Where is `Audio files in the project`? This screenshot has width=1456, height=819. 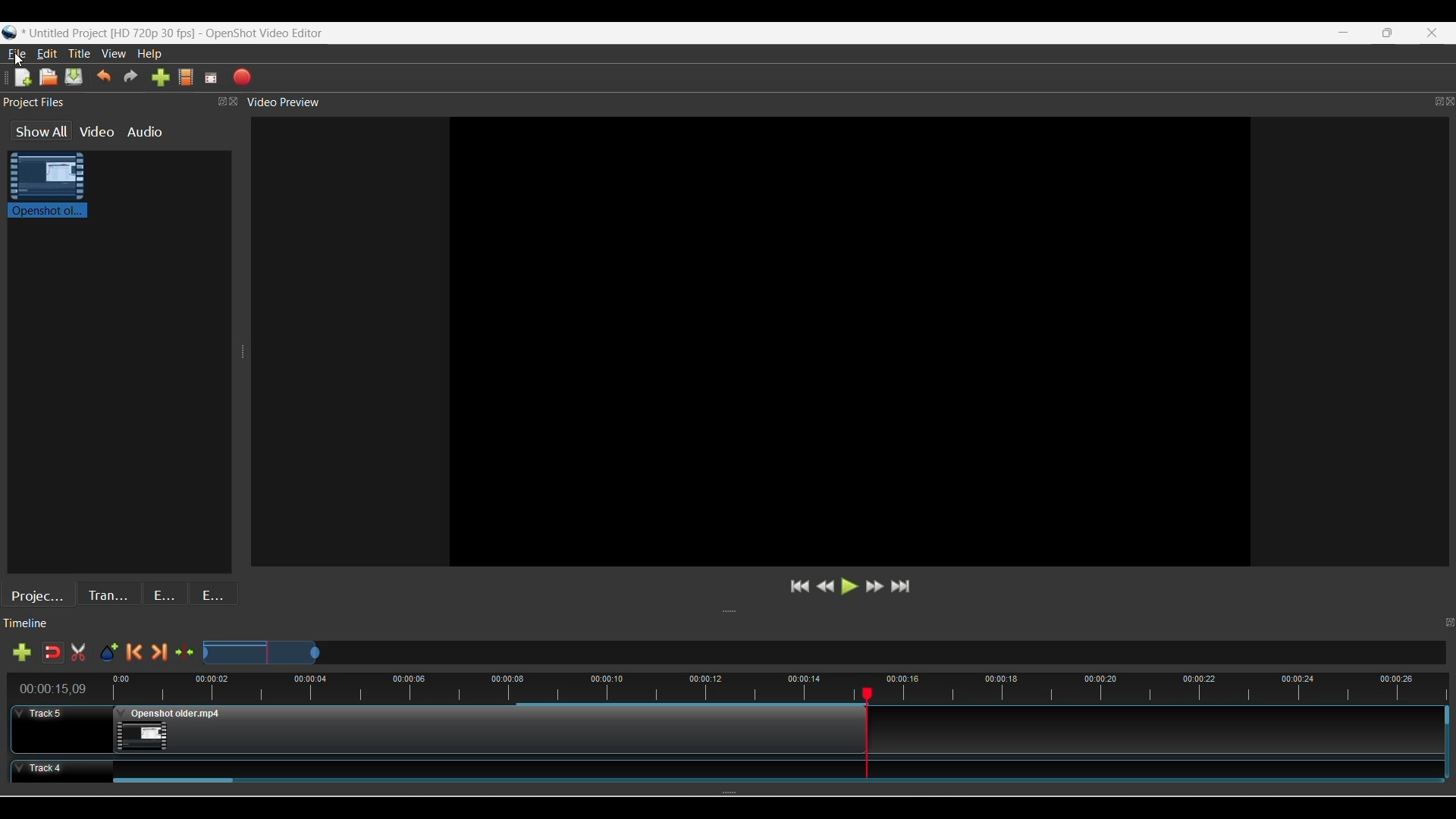 Audio files in the project is located at coordinates (145, 131).